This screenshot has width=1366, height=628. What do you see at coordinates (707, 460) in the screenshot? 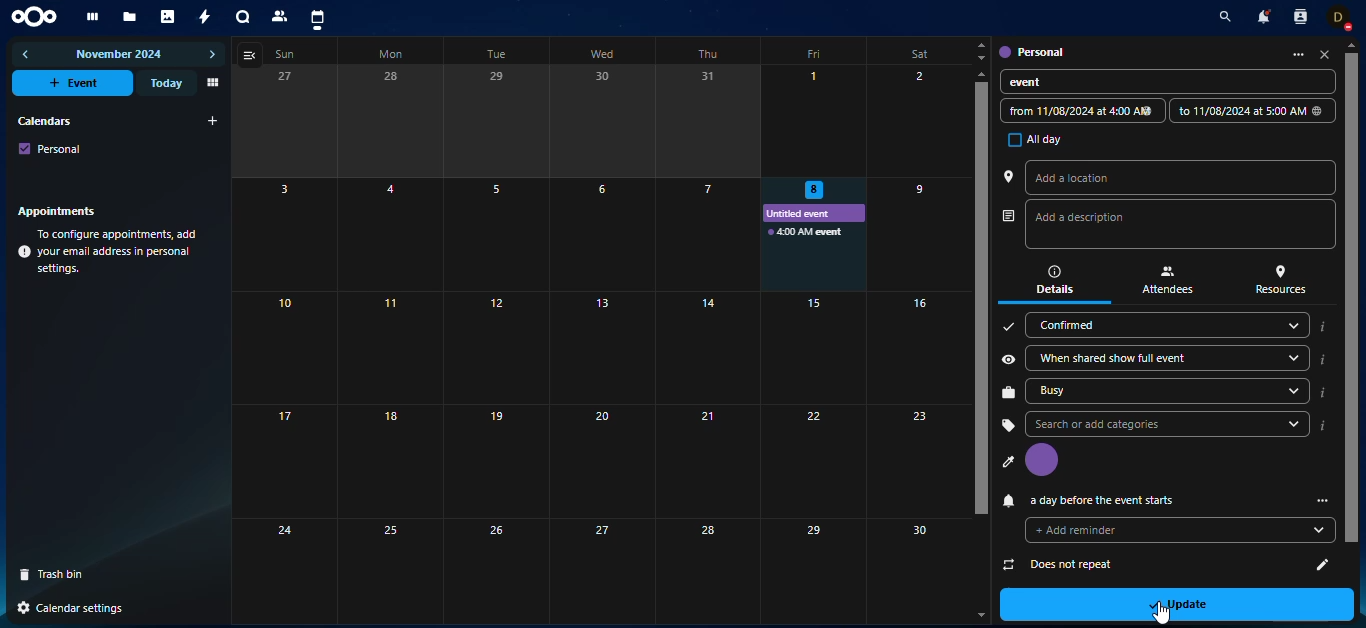
I see `21` at bounding box center [707, 460].